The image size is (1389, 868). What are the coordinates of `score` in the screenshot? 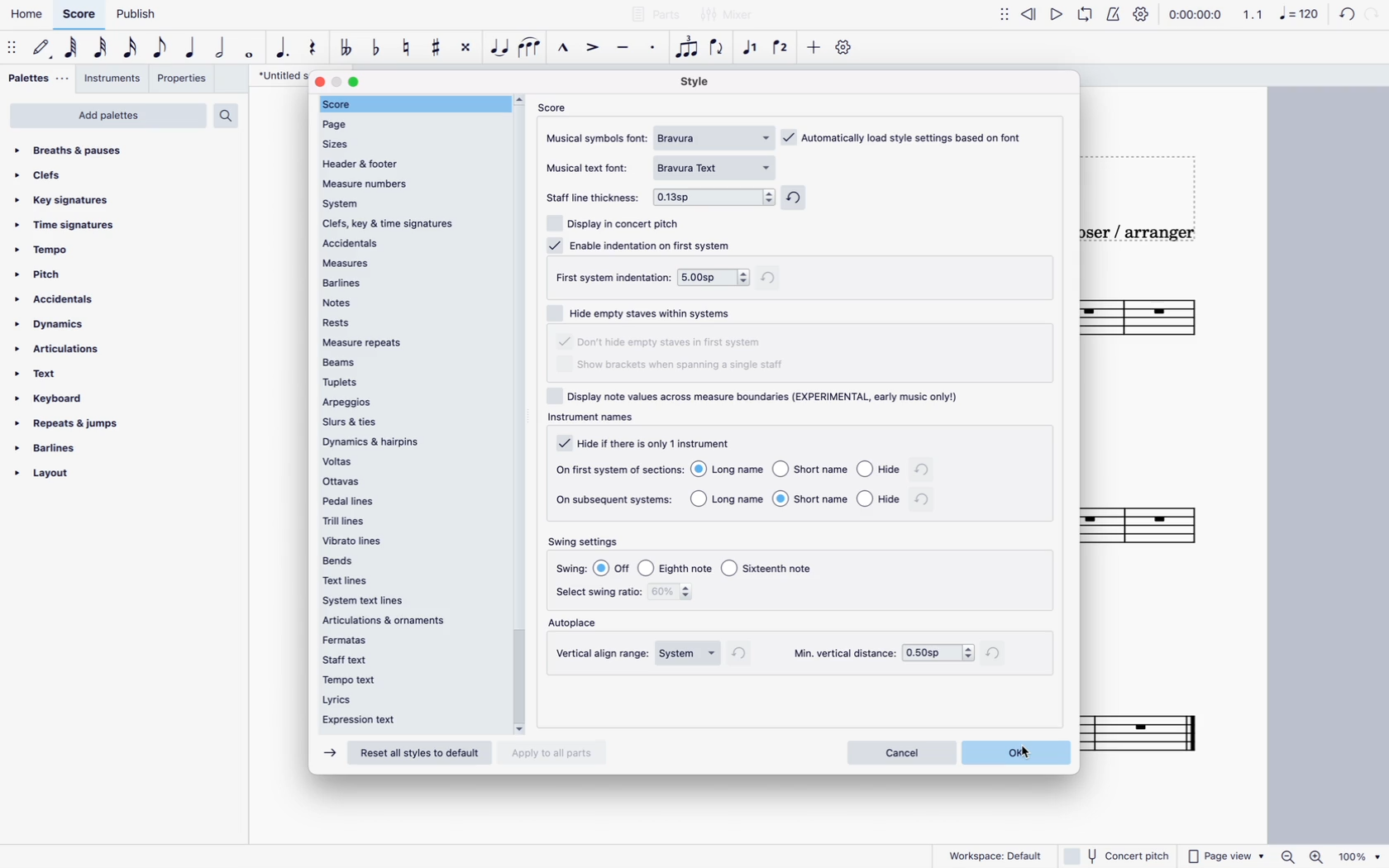 It's located at (556, 107).